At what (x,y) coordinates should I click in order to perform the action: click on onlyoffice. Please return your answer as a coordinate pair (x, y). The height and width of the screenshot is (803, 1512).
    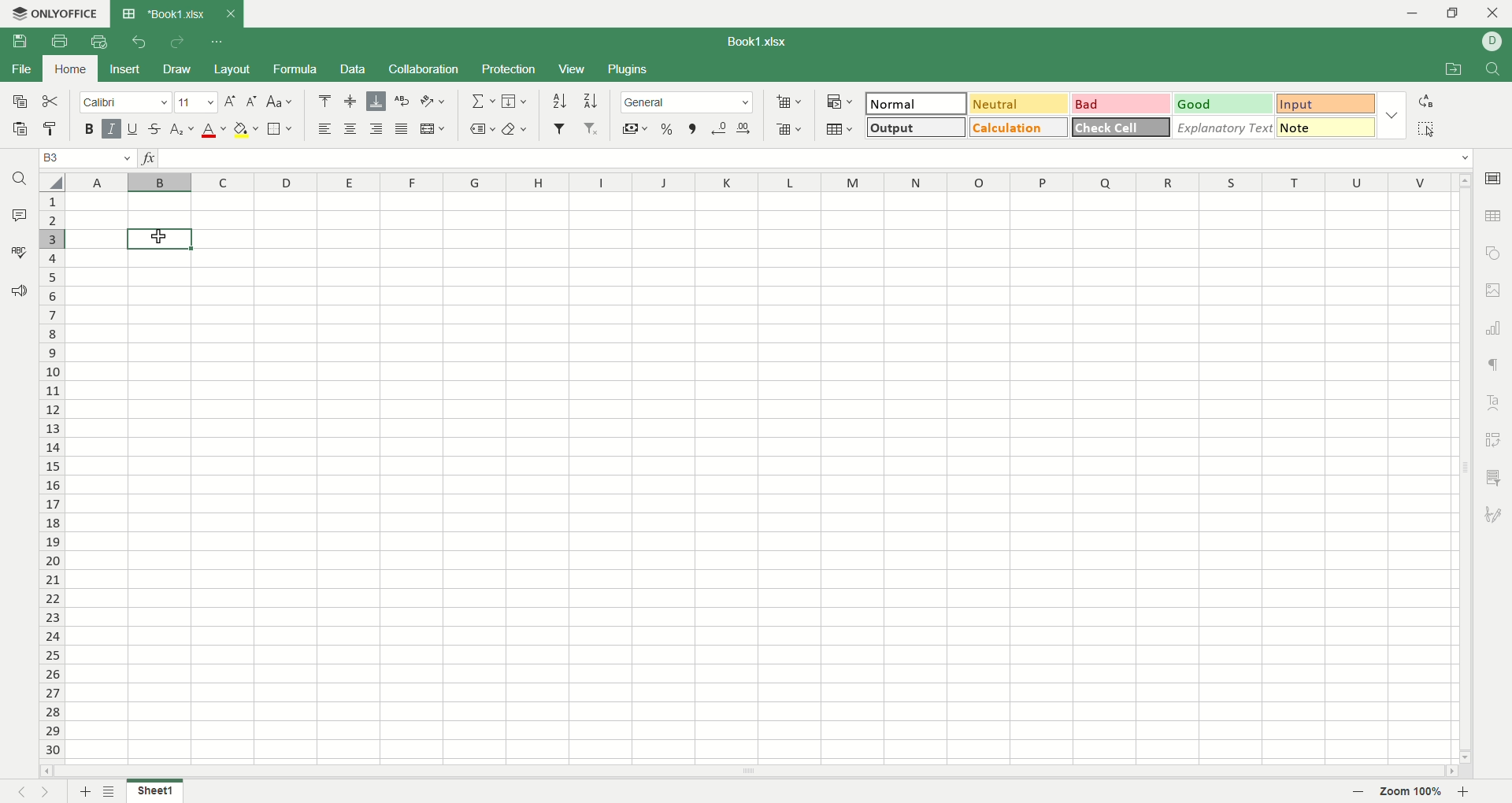
    Looking at the image, I should click on (53, 13).